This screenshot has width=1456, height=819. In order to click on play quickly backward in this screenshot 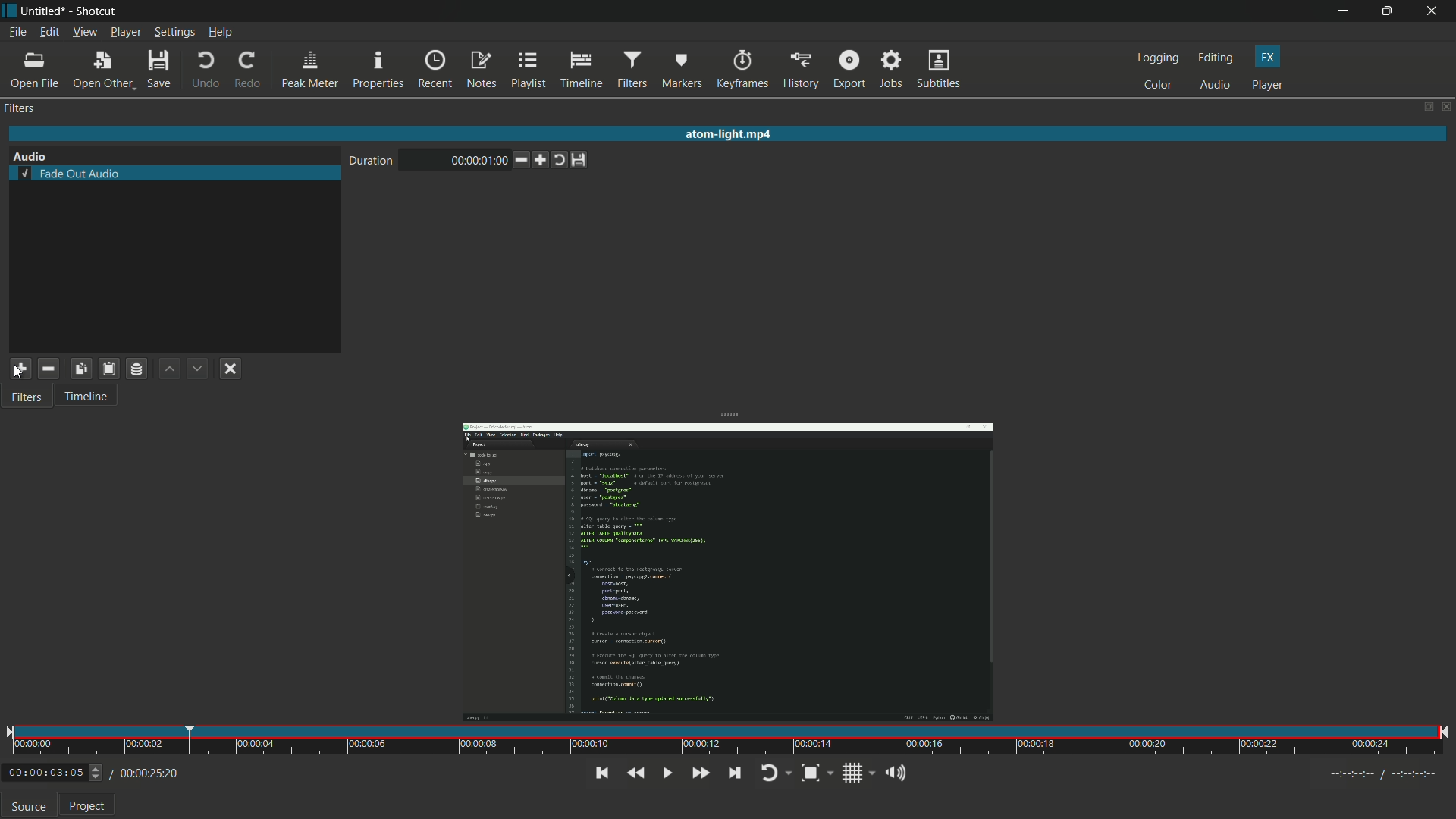, I will do `click(635, 773)`.